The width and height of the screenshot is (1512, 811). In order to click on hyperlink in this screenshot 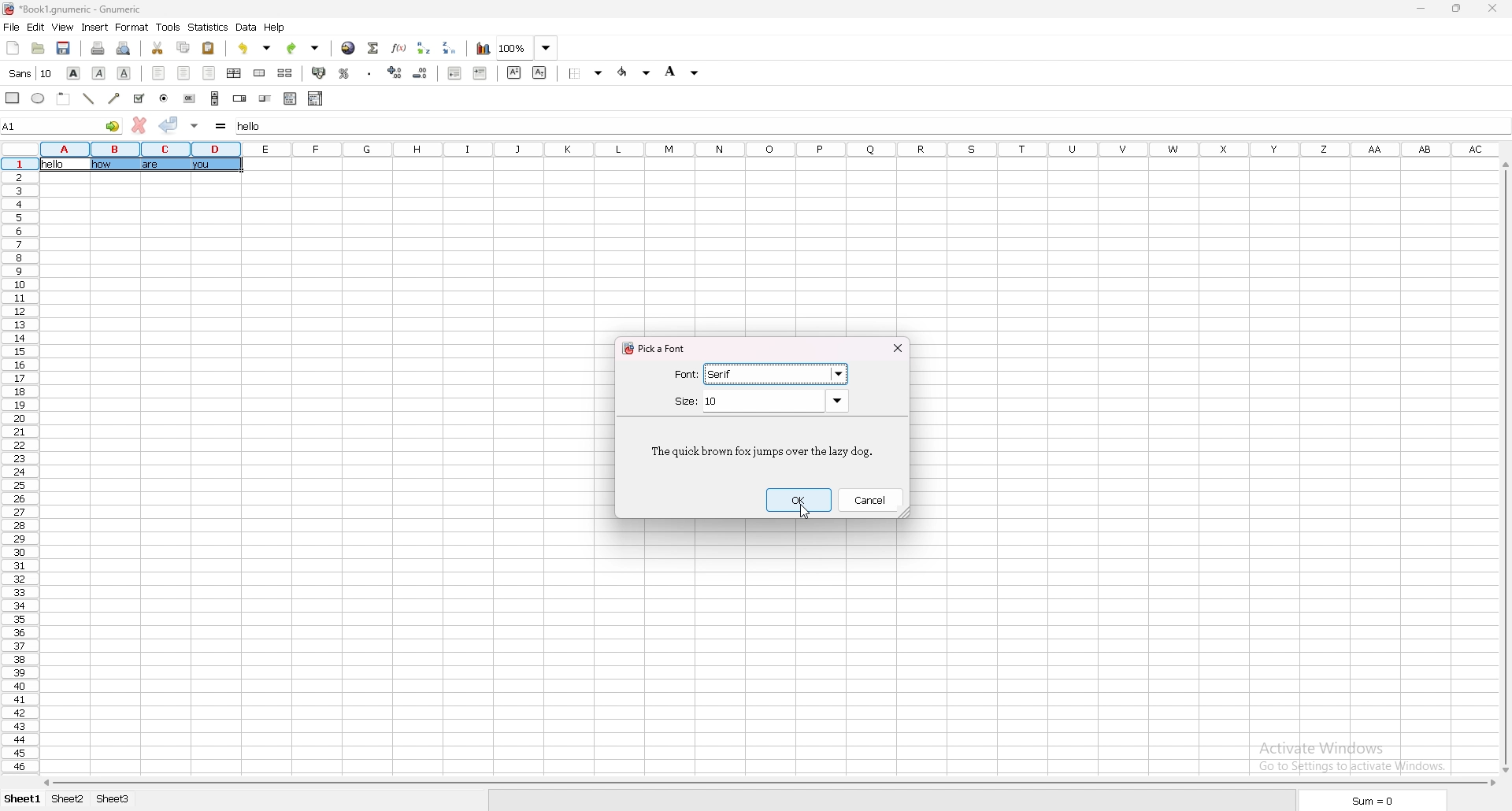, I will do `click(349, 47)`.